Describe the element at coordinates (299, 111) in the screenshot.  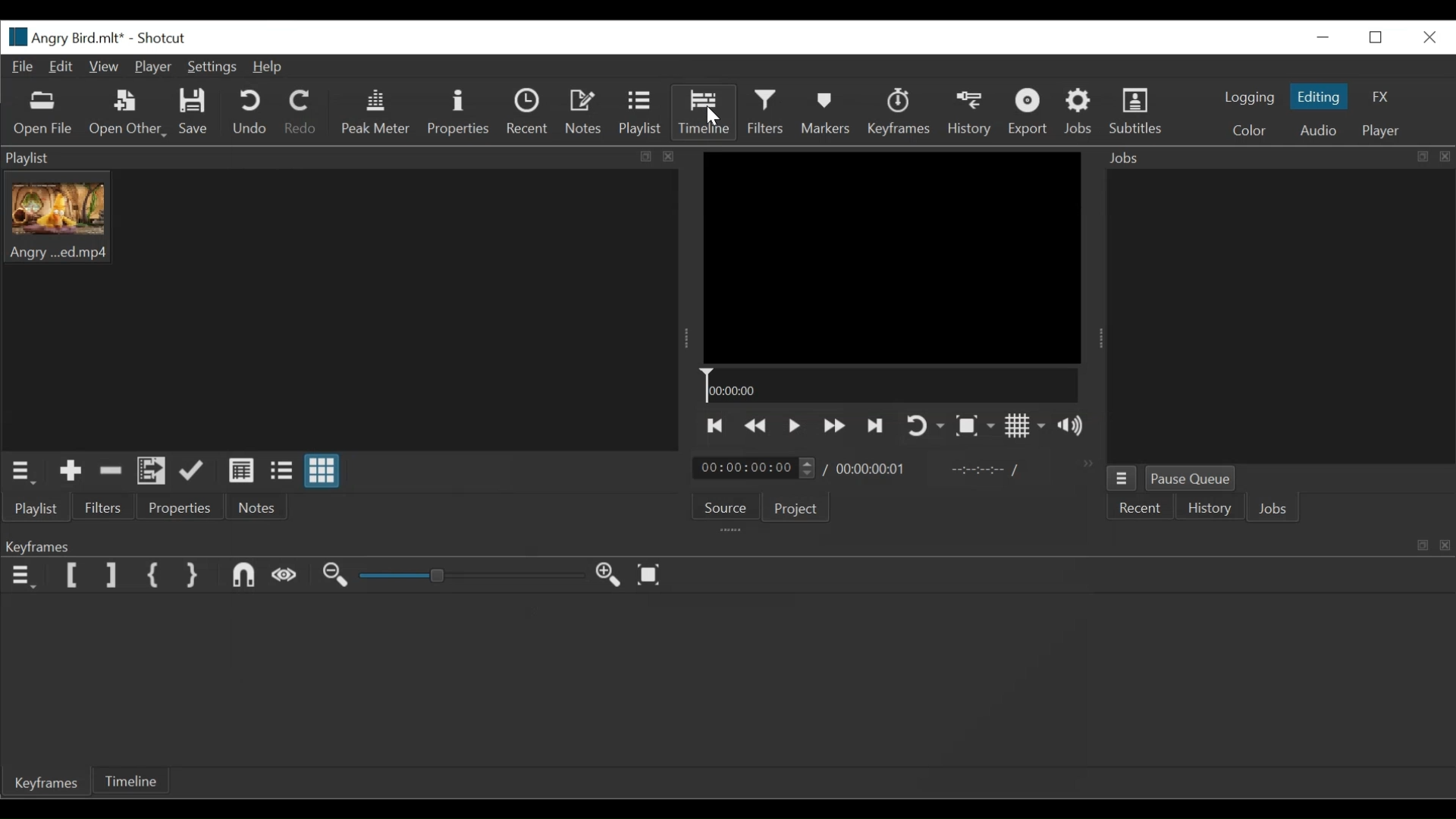
I see `Redo` at that location.